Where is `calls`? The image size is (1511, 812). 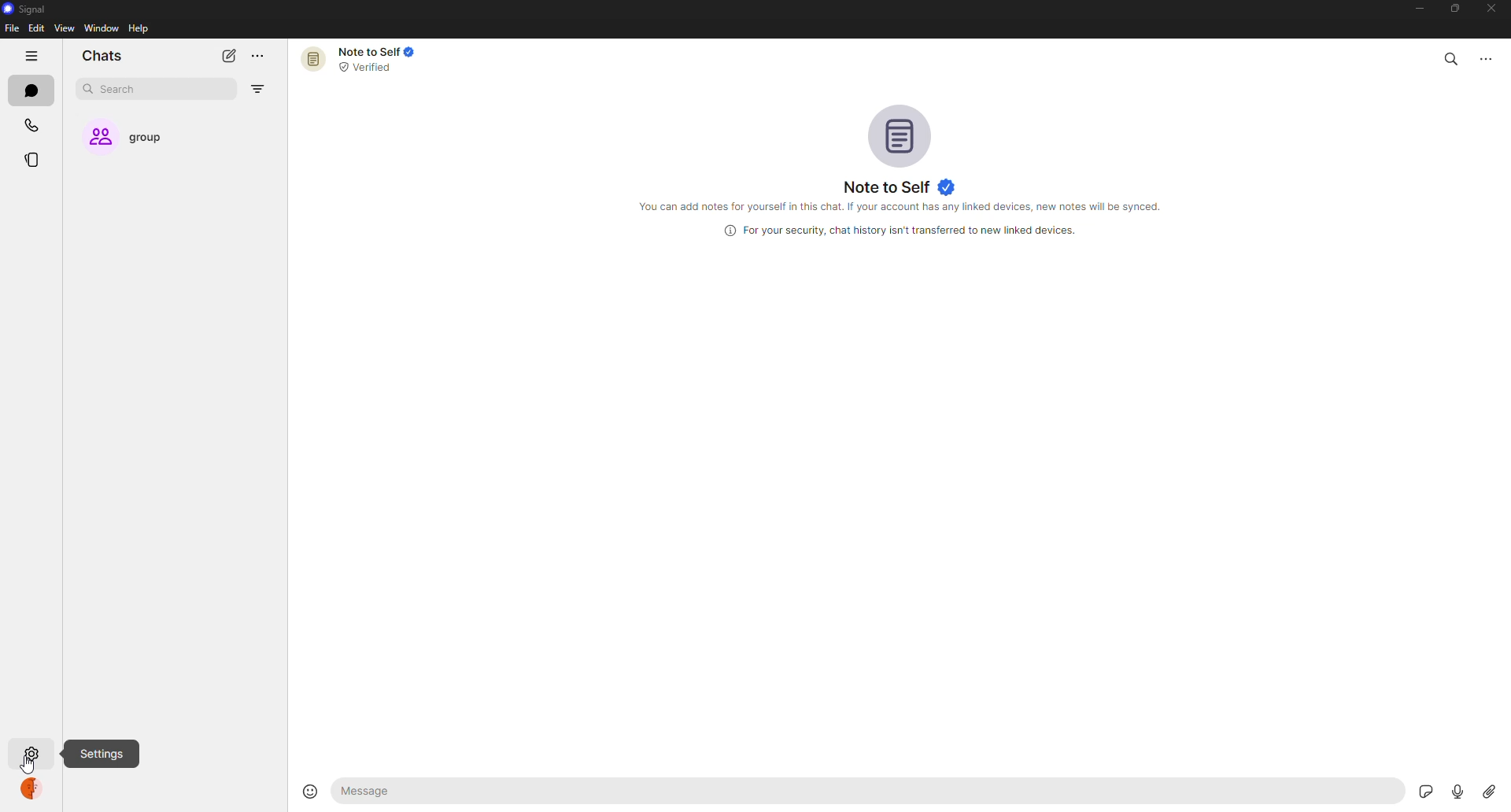
calls is located at coordinates (34, 127).